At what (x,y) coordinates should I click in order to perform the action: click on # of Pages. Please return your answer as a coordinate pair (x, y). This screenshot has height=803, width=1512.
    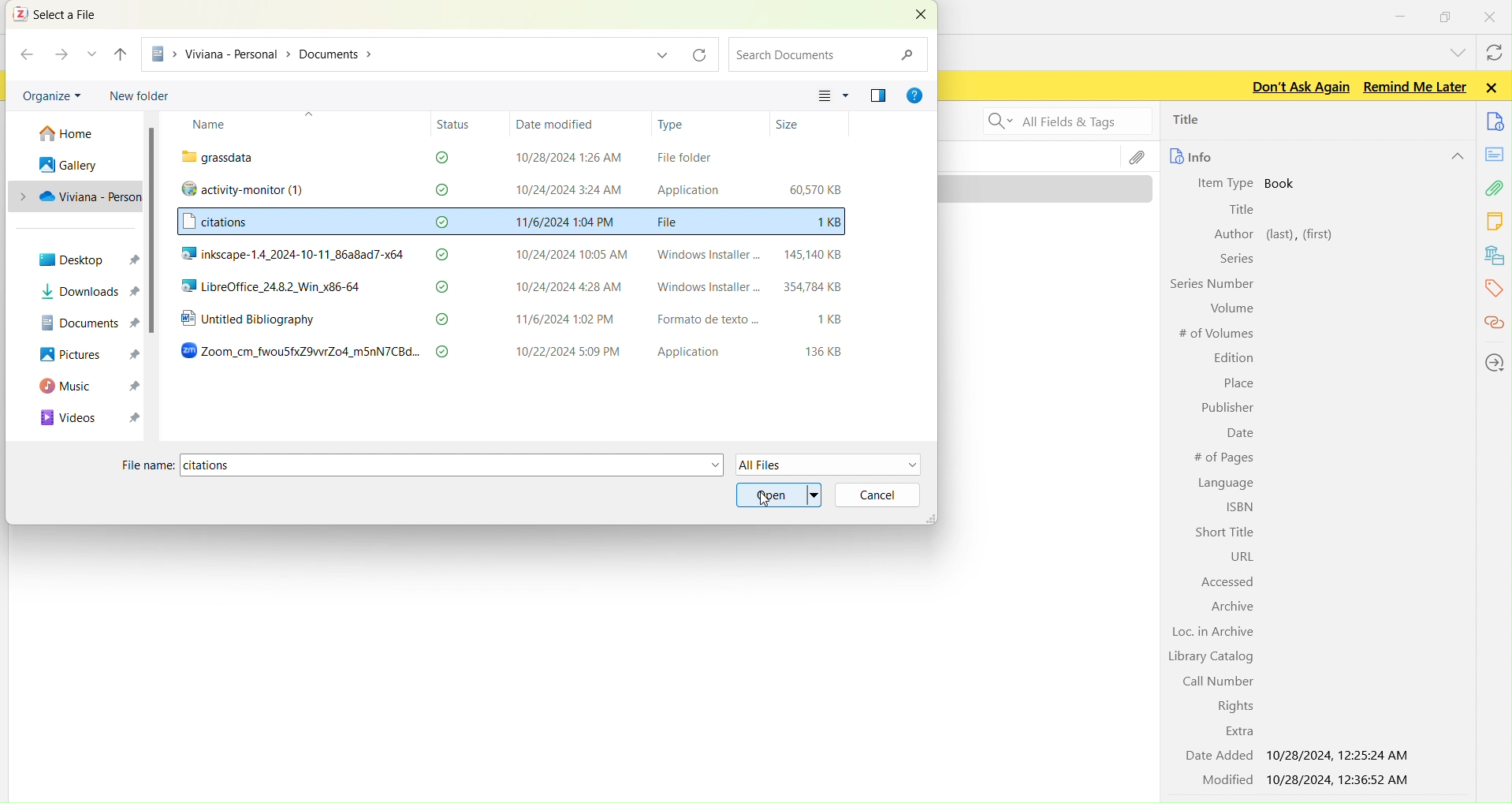
    Looking at the image, I should click on (1223, 458).